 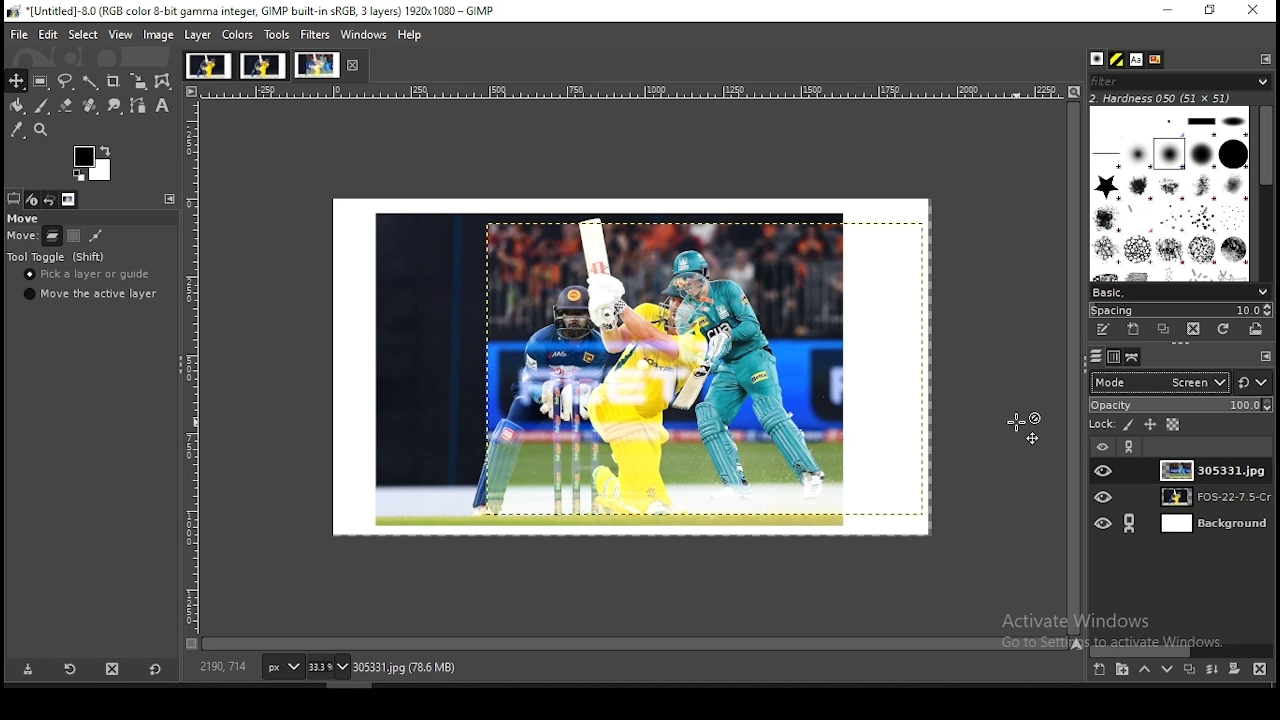 What do you see at coordinates (1131, 425) in the screenshot?
I see `lock pixel` at bounding box center [1131, 425].